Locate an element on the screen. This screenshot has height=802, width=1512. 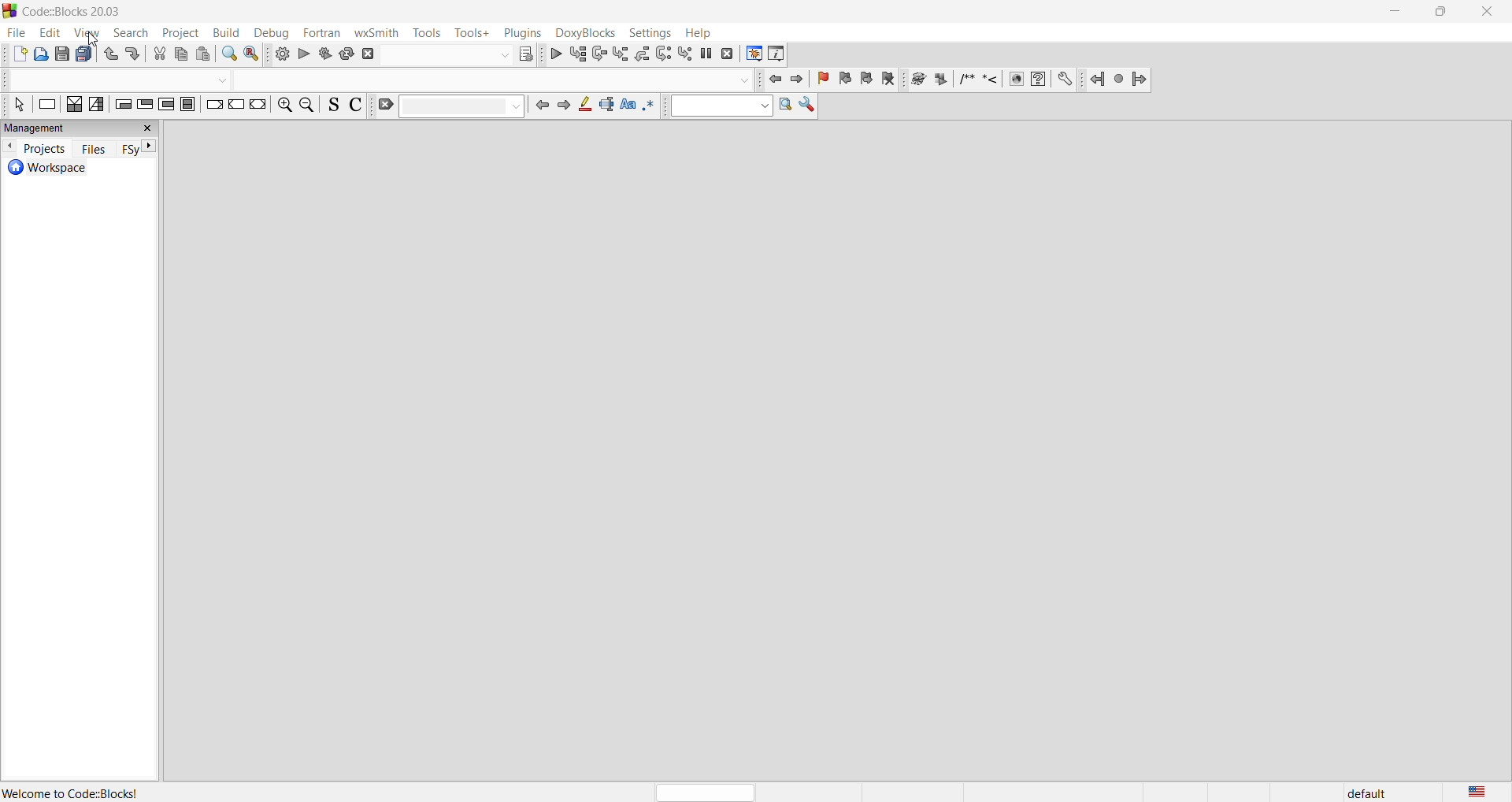
jump back is located at coordinates (543, 106).